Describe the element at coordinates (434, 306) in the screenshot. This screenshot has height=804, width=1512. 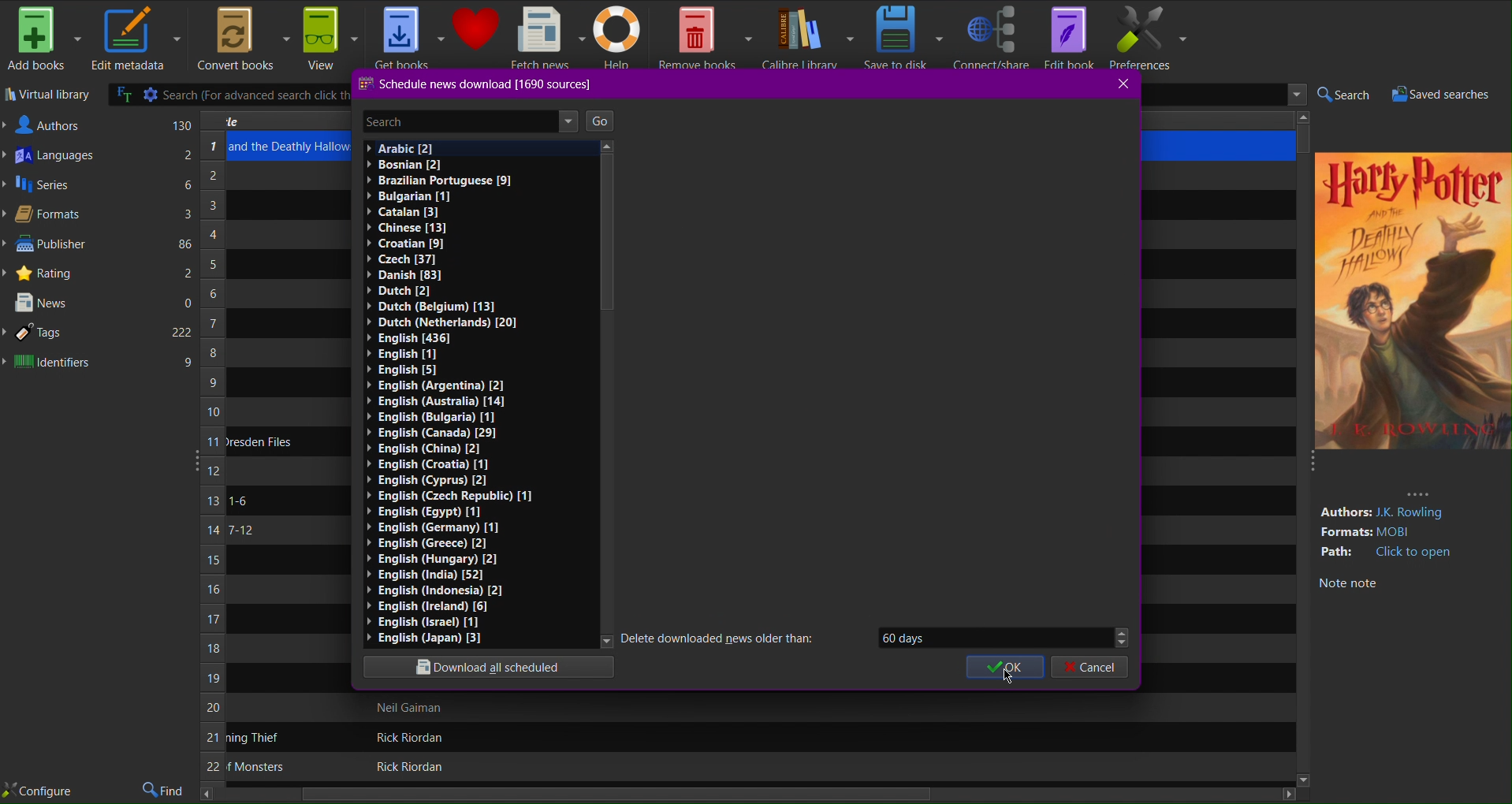
I see `Dutch (Belgium) [13]` at that location.